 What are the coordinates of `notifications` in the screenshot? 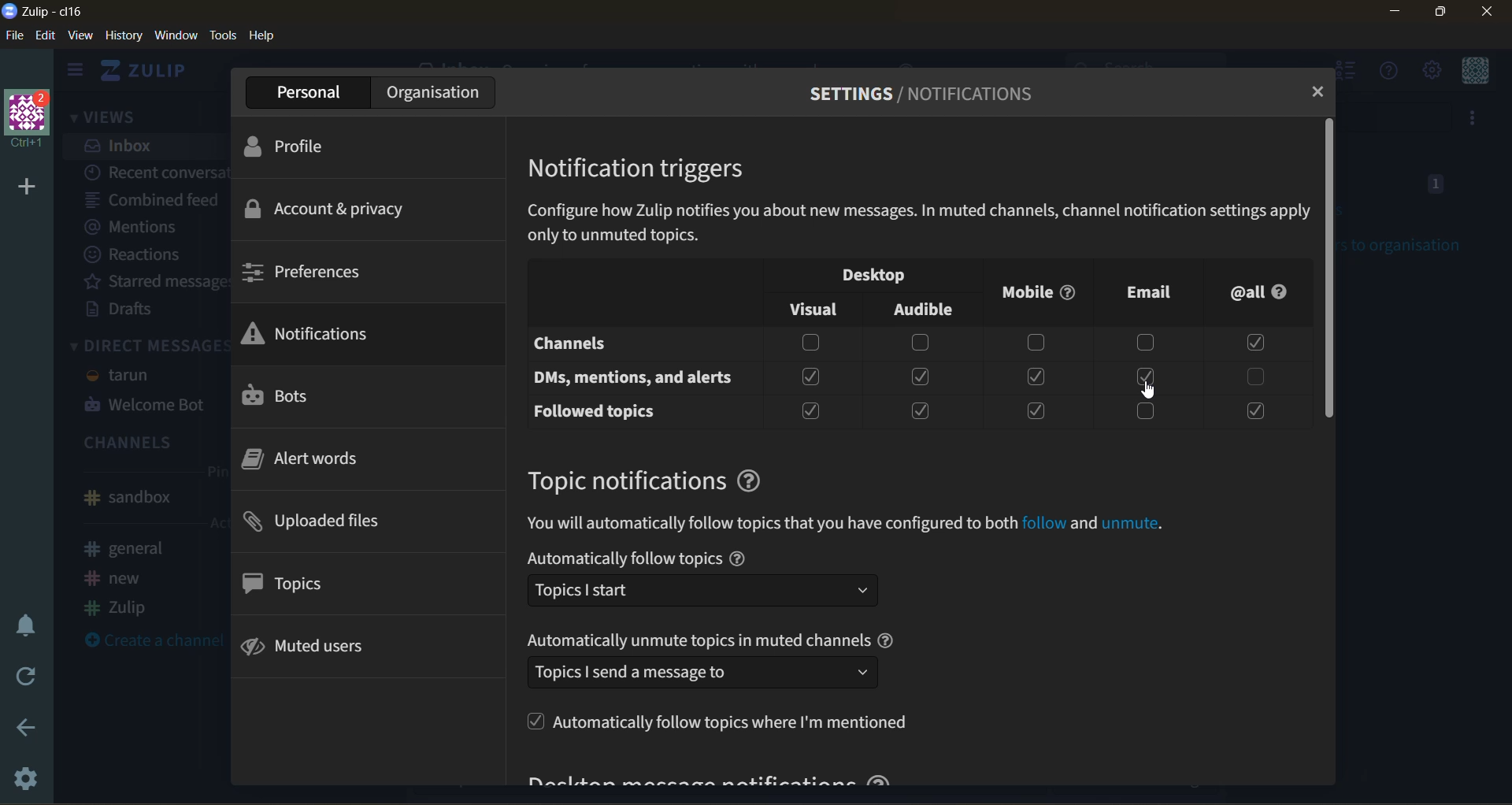 It's located at (312, 336).